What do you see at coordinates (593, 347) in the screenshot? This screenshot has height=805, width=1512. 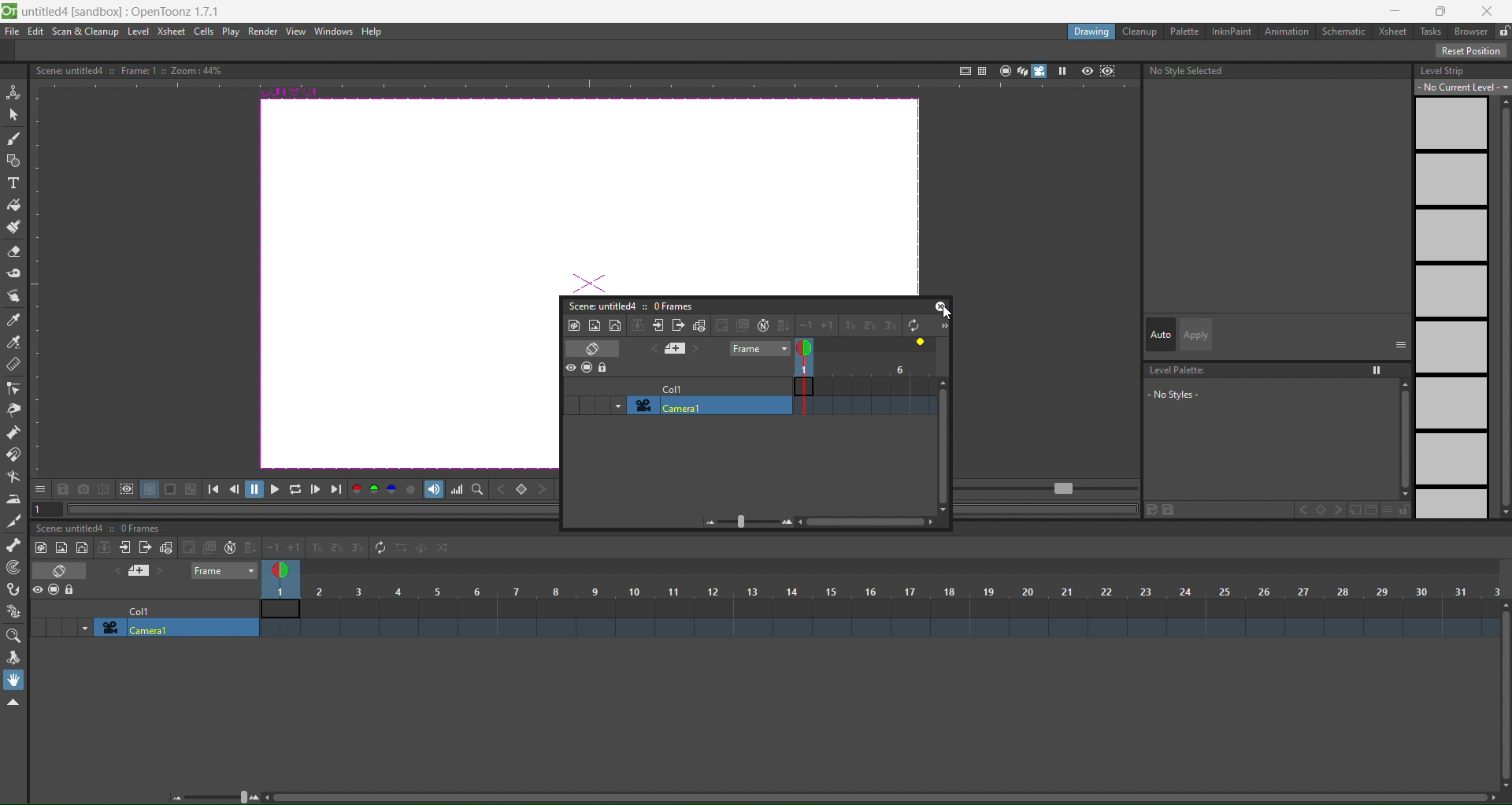 I see `` at bounding box center [593, 347].